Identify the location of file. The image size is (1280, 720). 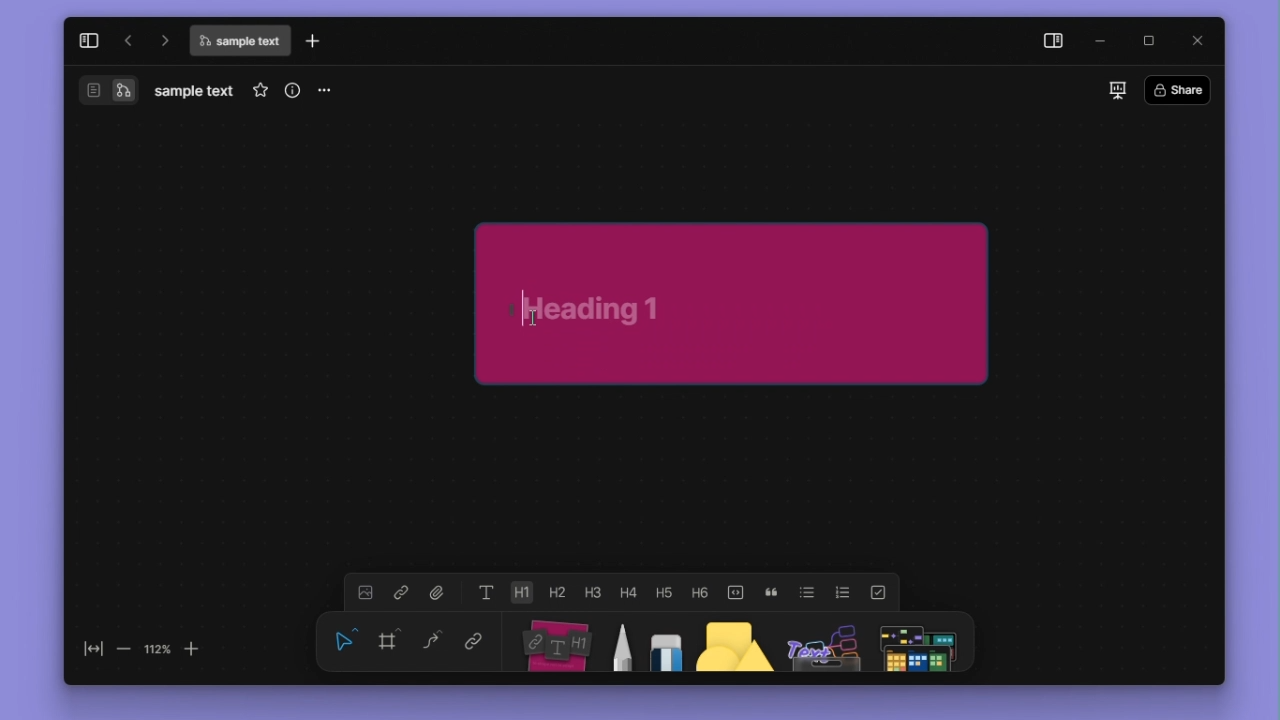
(438, 592).